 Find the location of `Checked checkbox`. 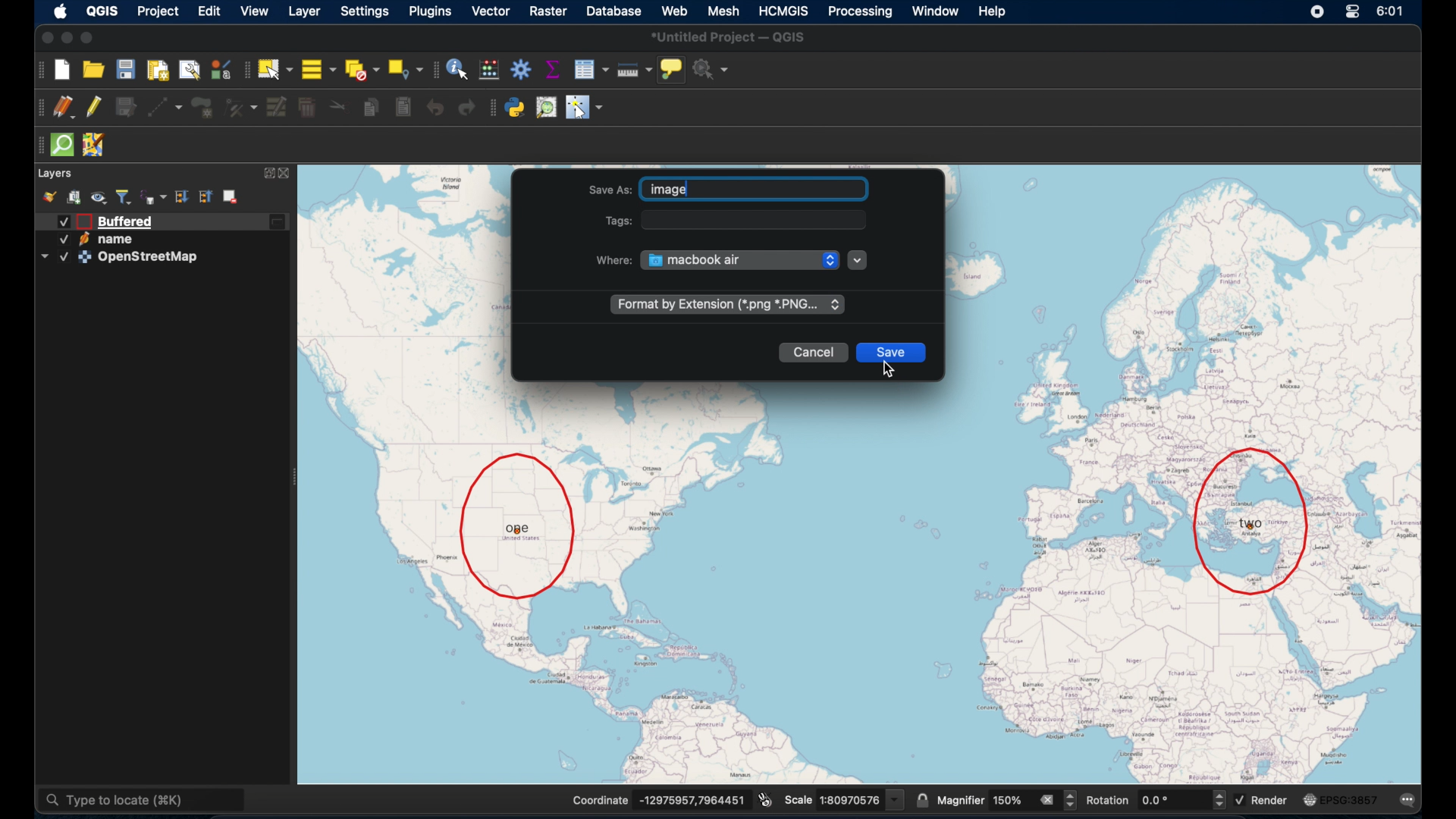

Checked checkbox is located at coordinates (64, 221).